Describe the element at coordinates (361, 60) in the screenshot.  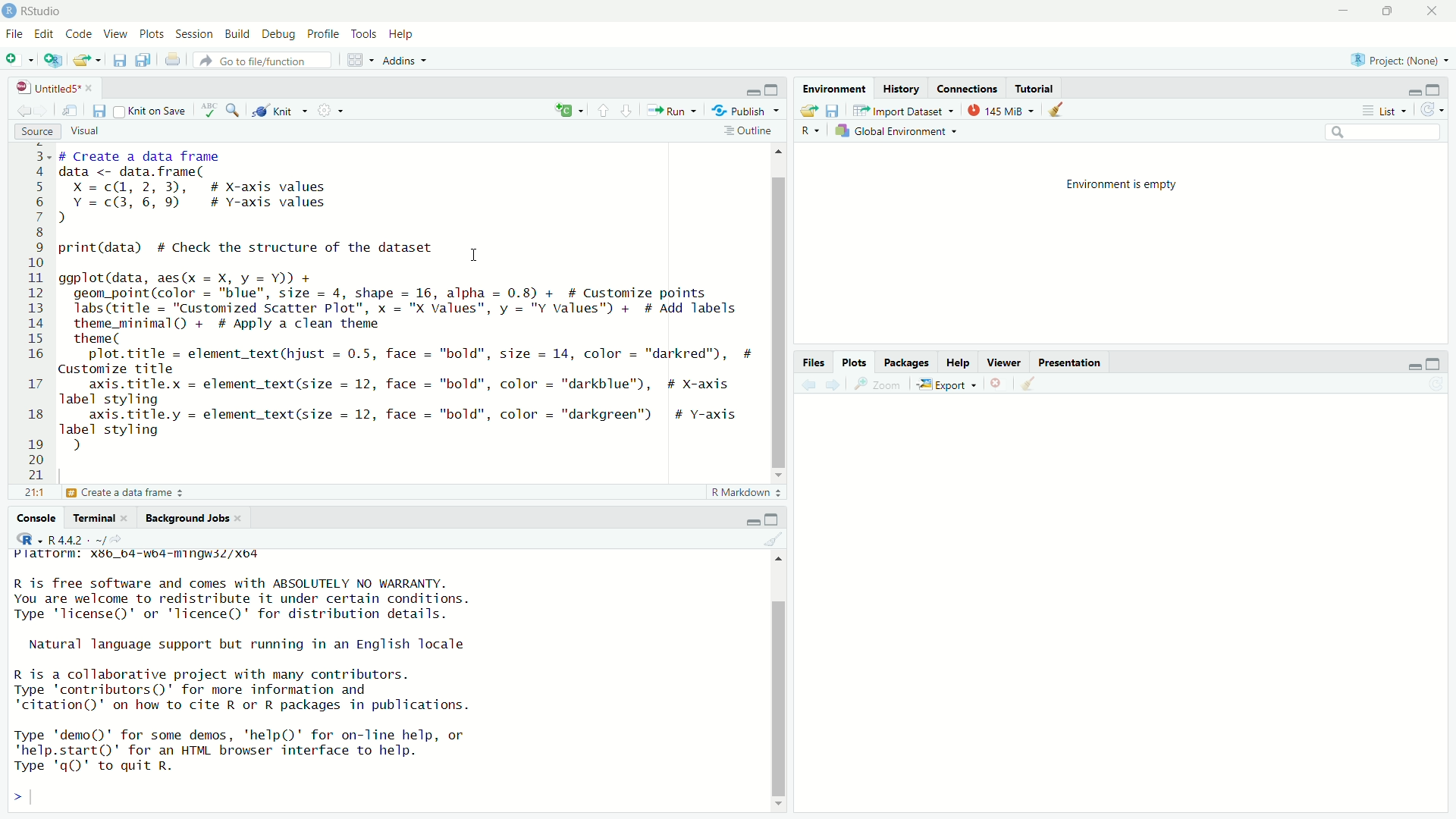
I see `Workspaces pane` at that location.